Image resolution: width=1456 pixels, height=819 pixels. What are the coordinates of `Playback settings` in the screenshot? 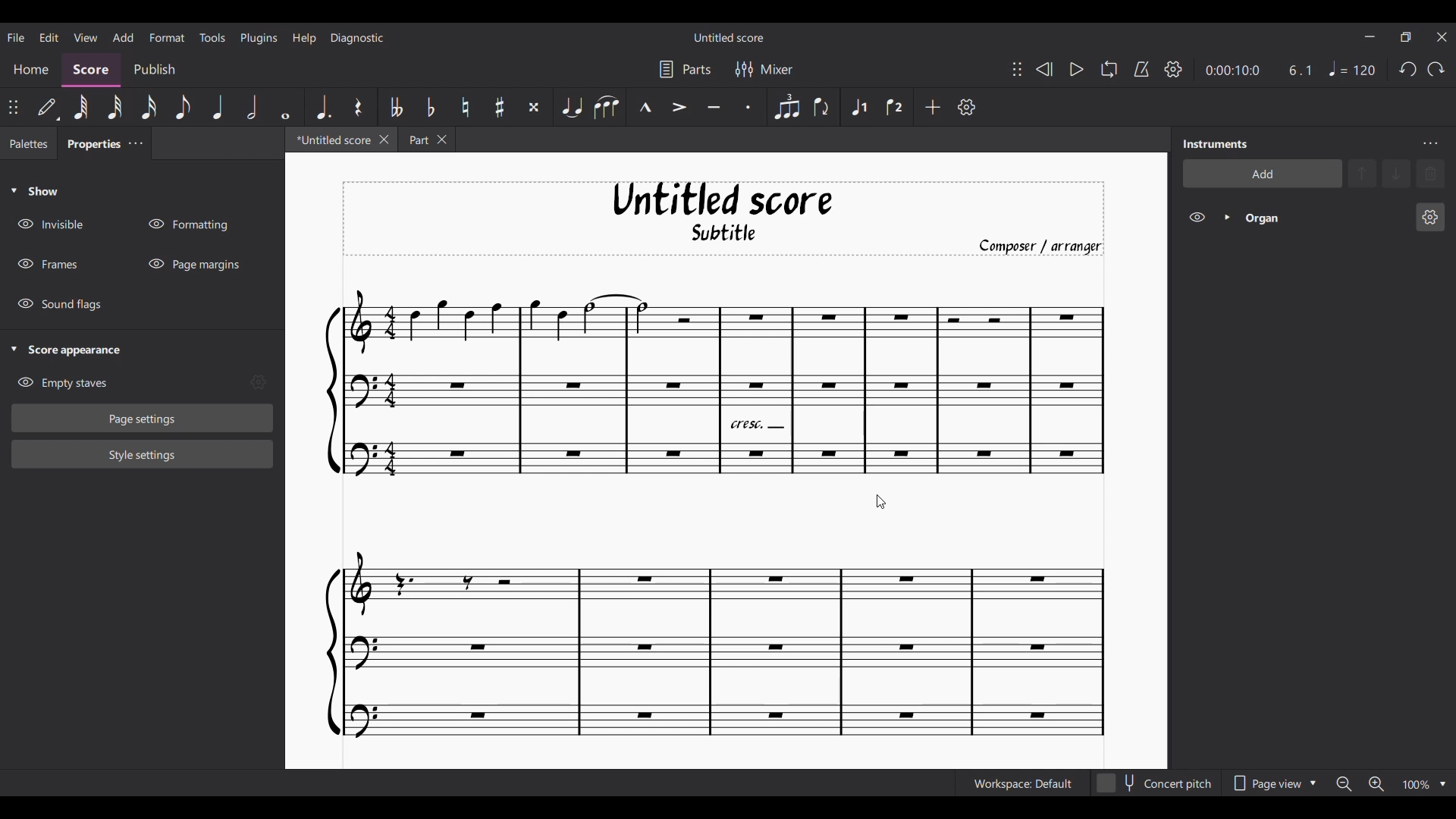 It's located at (1173, 68).